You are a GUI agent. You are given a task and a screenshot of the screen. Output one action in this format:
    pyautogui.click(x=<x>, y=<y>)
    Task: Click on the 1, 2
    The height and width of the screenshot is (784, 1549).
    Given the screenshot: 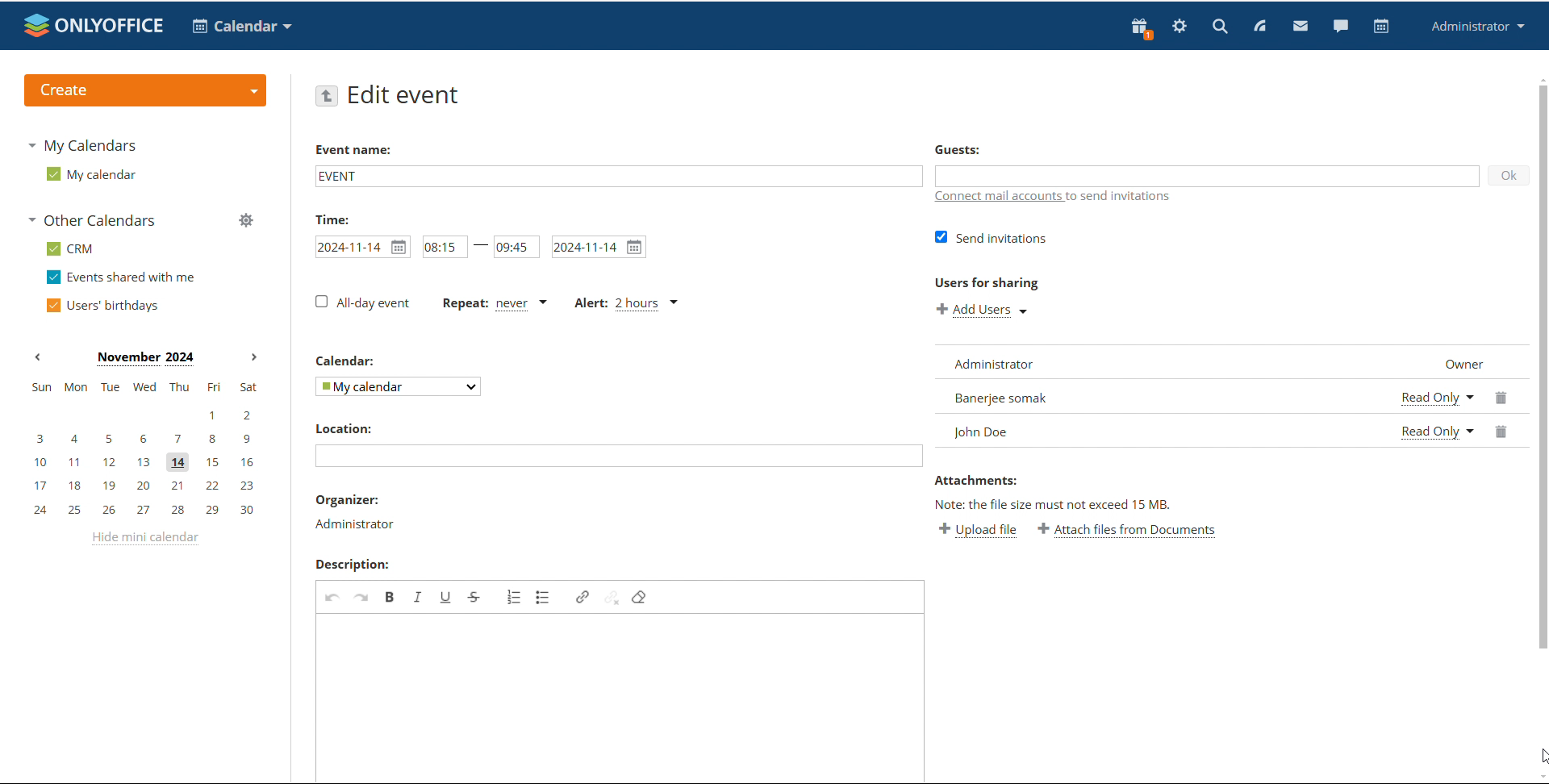 What is the action you would take?
    pyautogui.click(x=140, y=416)
    